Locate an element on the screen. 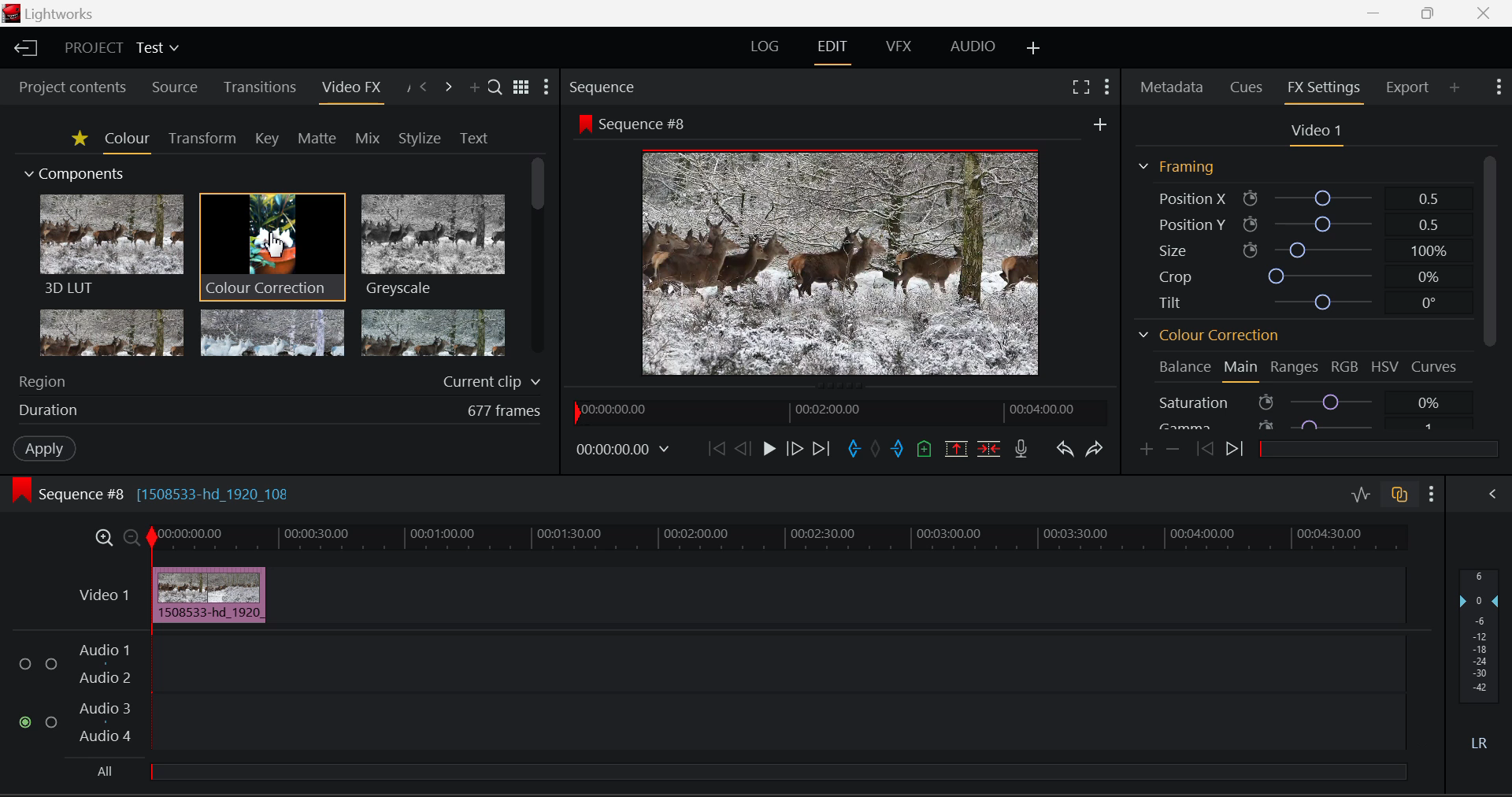  Show Settings is located at coordinates (1501, 87).